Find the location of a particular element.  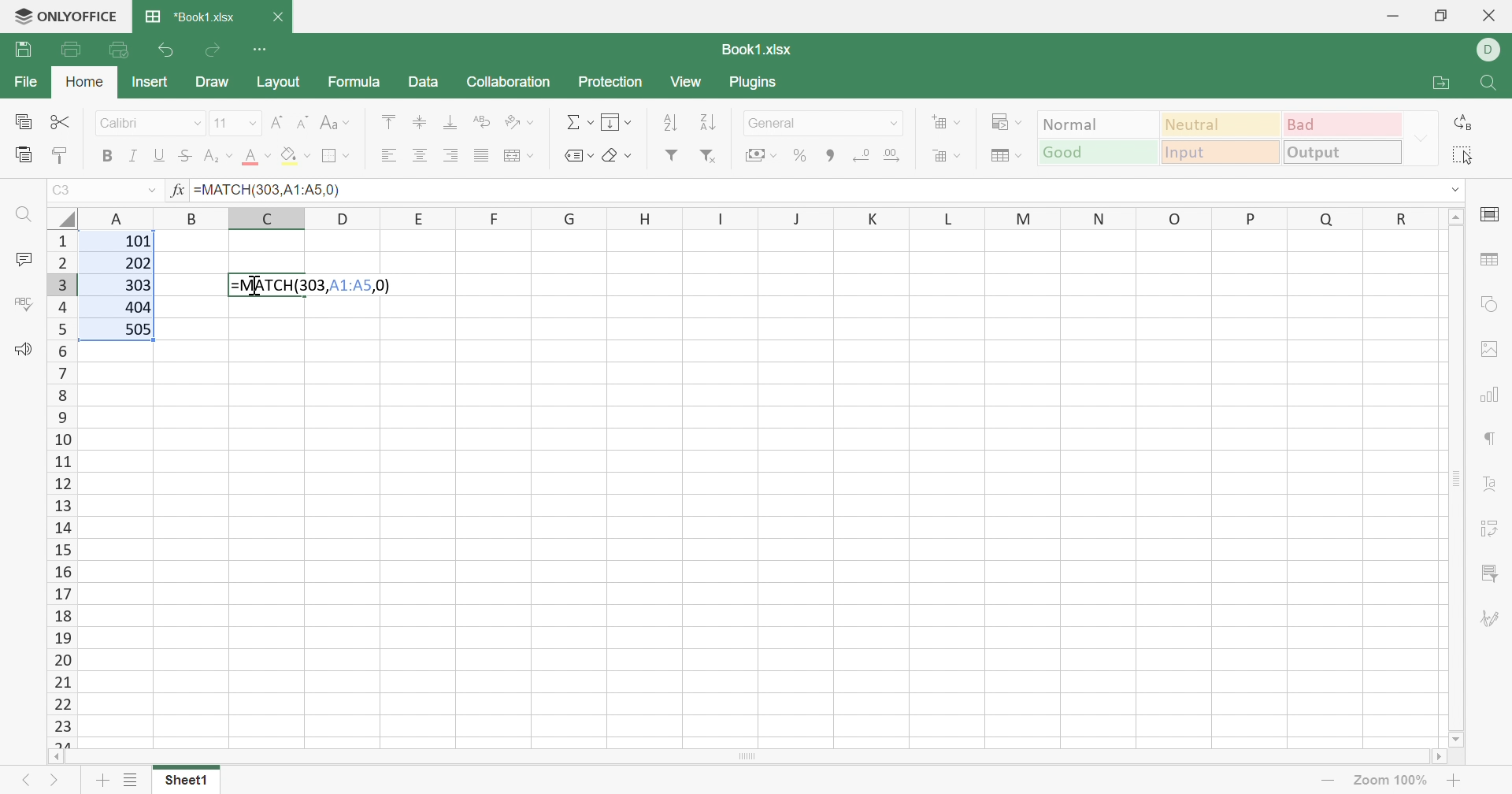

Fill is located at coordinates (617, 123).